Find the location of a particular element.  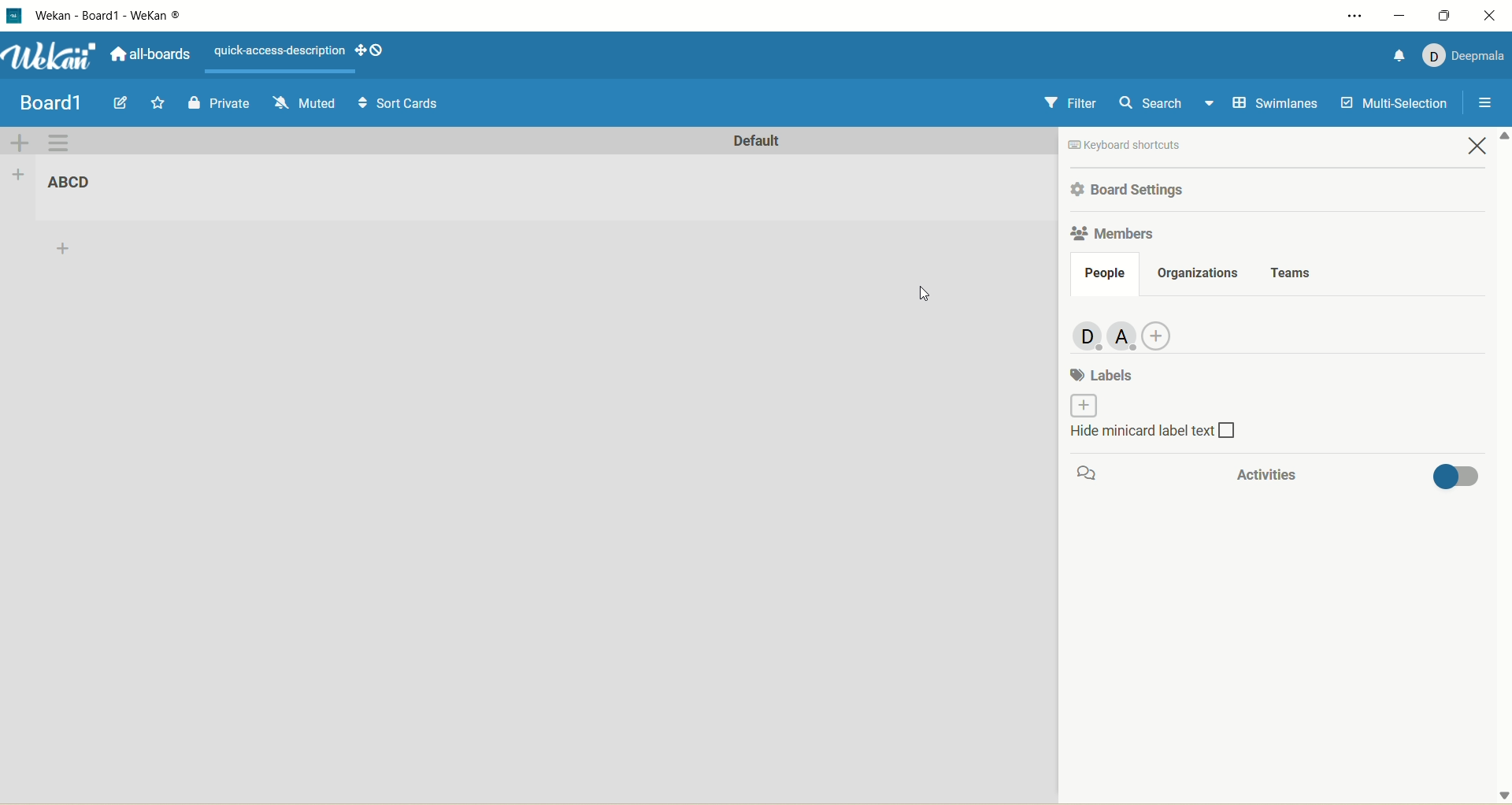

organizations is located at coordinates (1199, 272).